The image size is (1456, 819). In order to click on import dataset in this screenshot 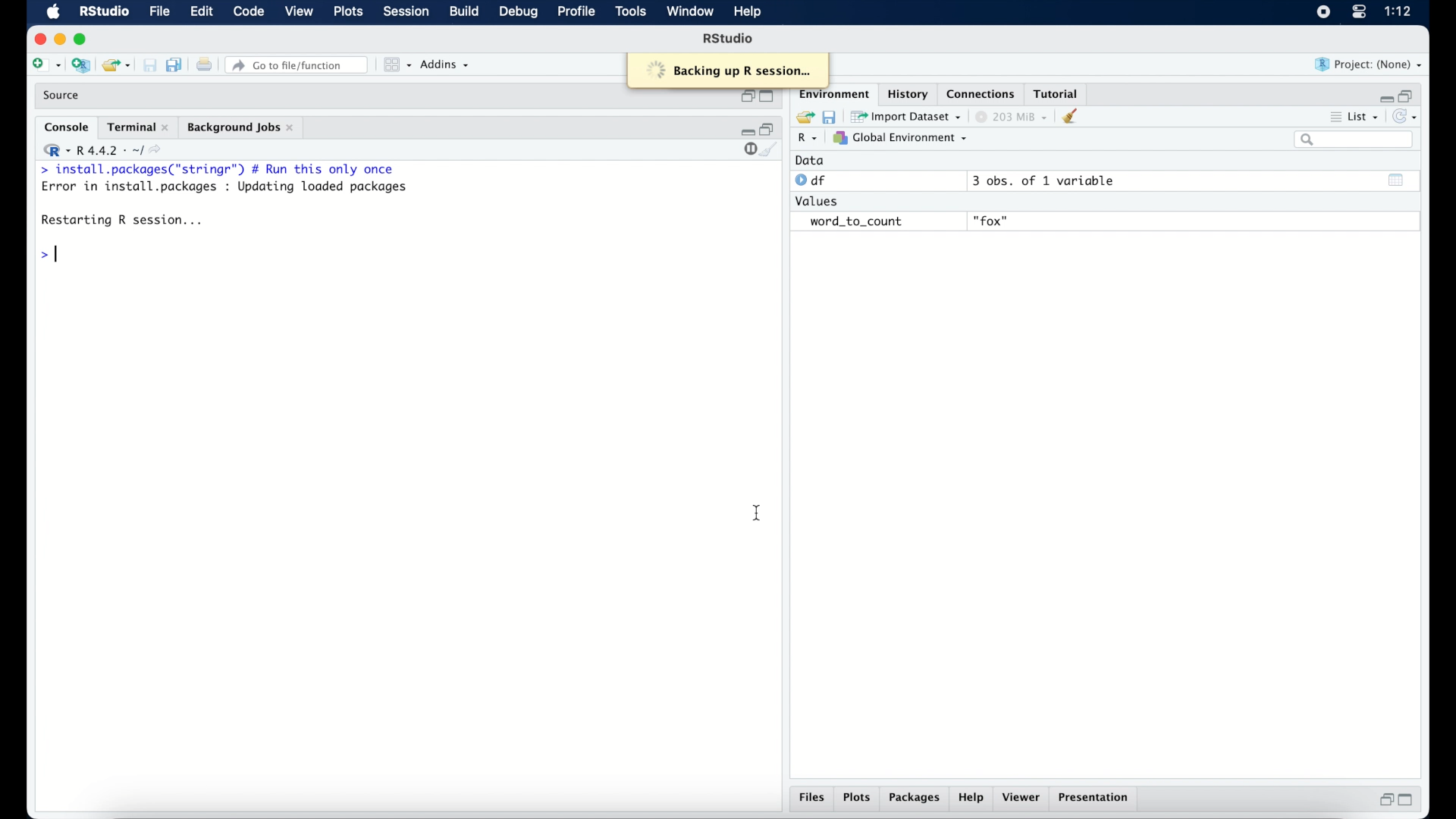, I will do `click(906, 117)`.